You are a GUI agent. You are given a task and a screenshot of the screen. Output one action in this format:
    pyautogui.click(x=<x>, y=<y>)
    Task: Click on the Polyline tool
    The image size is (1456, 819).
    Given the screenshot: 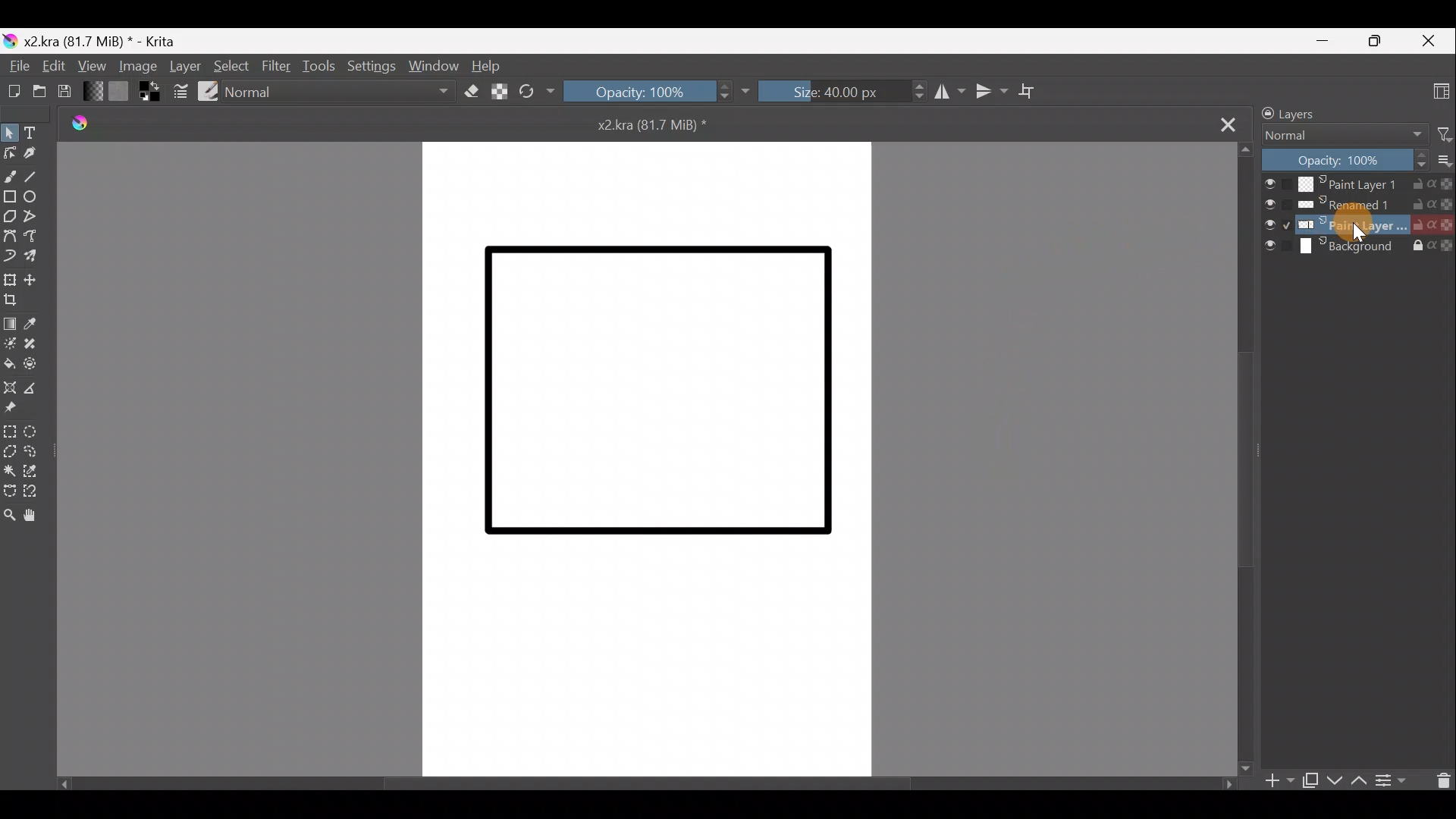 What is the action you would take?
    pyautogui.click(x=37, y=218)
    